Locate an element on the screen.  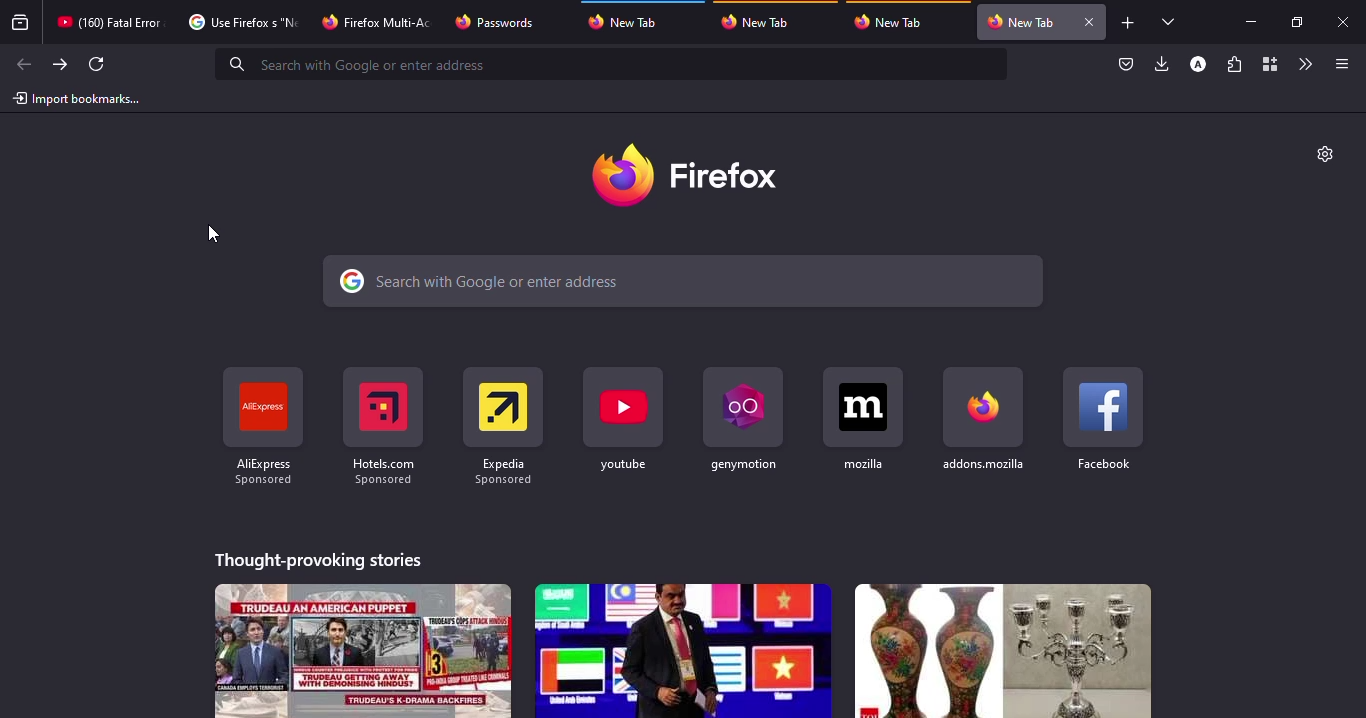
tab is located at coordinates (1024, 22).